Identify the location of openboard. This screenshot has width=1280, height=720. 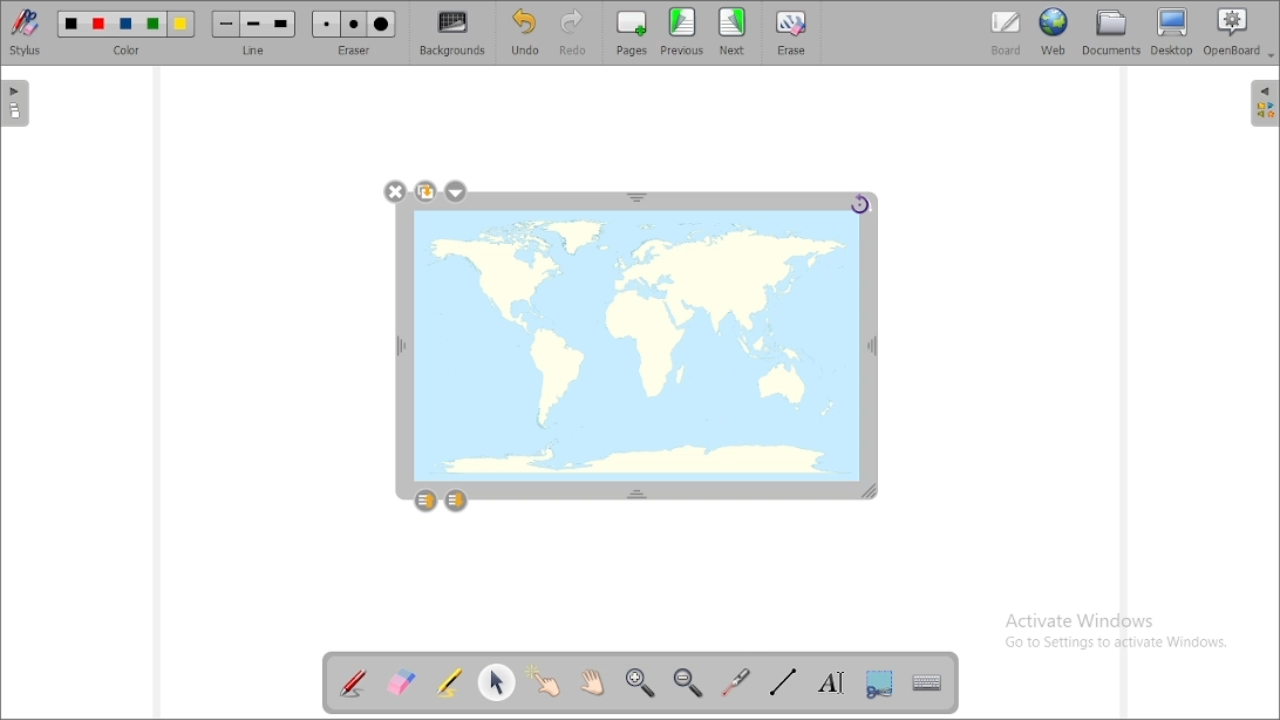
(1234, 32).